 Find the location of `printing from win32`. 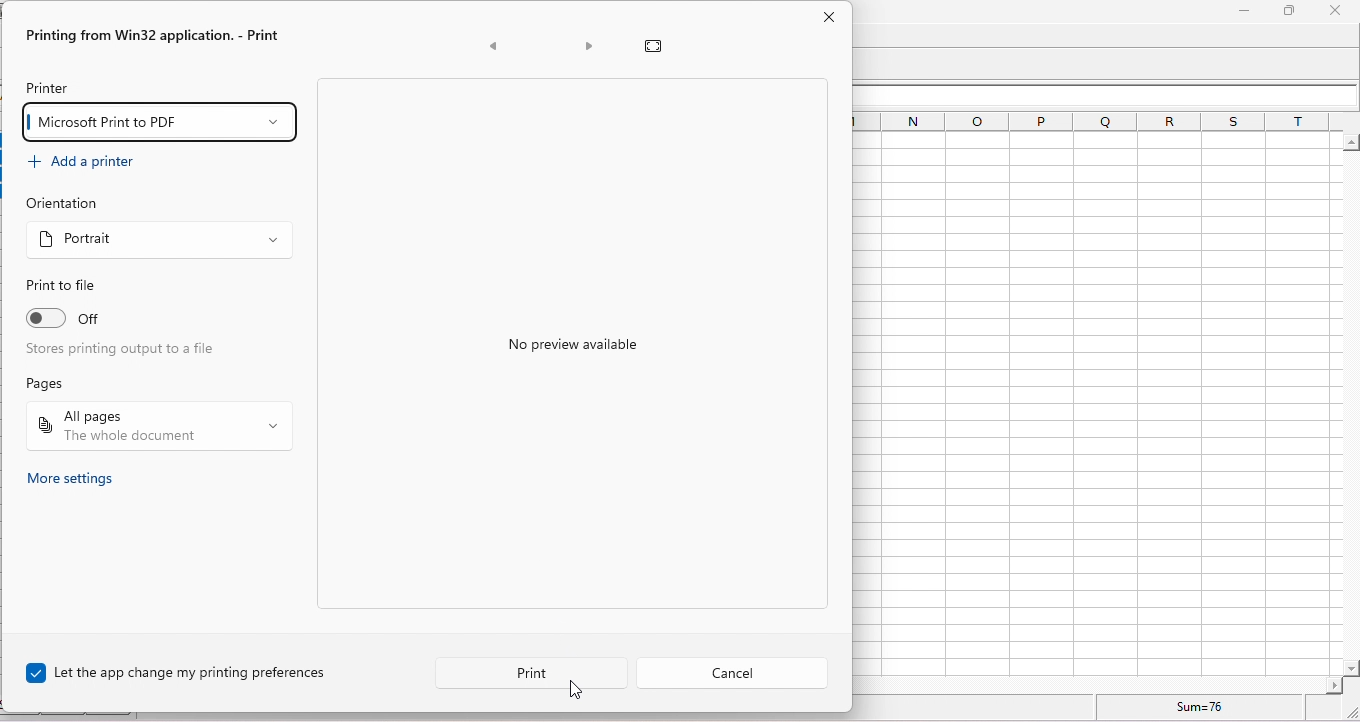

printing from win32 is located at coordinates (157, 35).